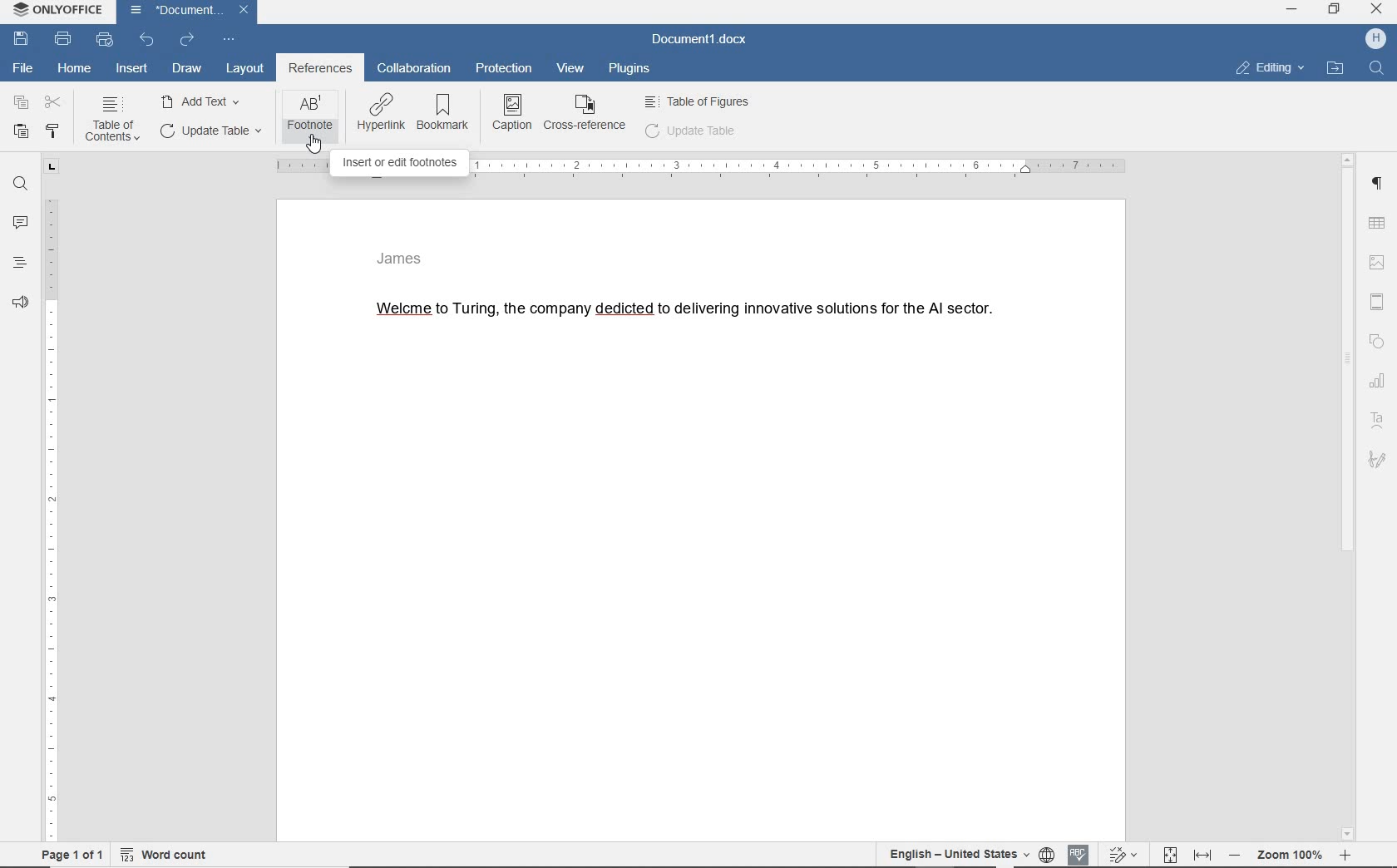  I want to click on language, so click(1049, 856).